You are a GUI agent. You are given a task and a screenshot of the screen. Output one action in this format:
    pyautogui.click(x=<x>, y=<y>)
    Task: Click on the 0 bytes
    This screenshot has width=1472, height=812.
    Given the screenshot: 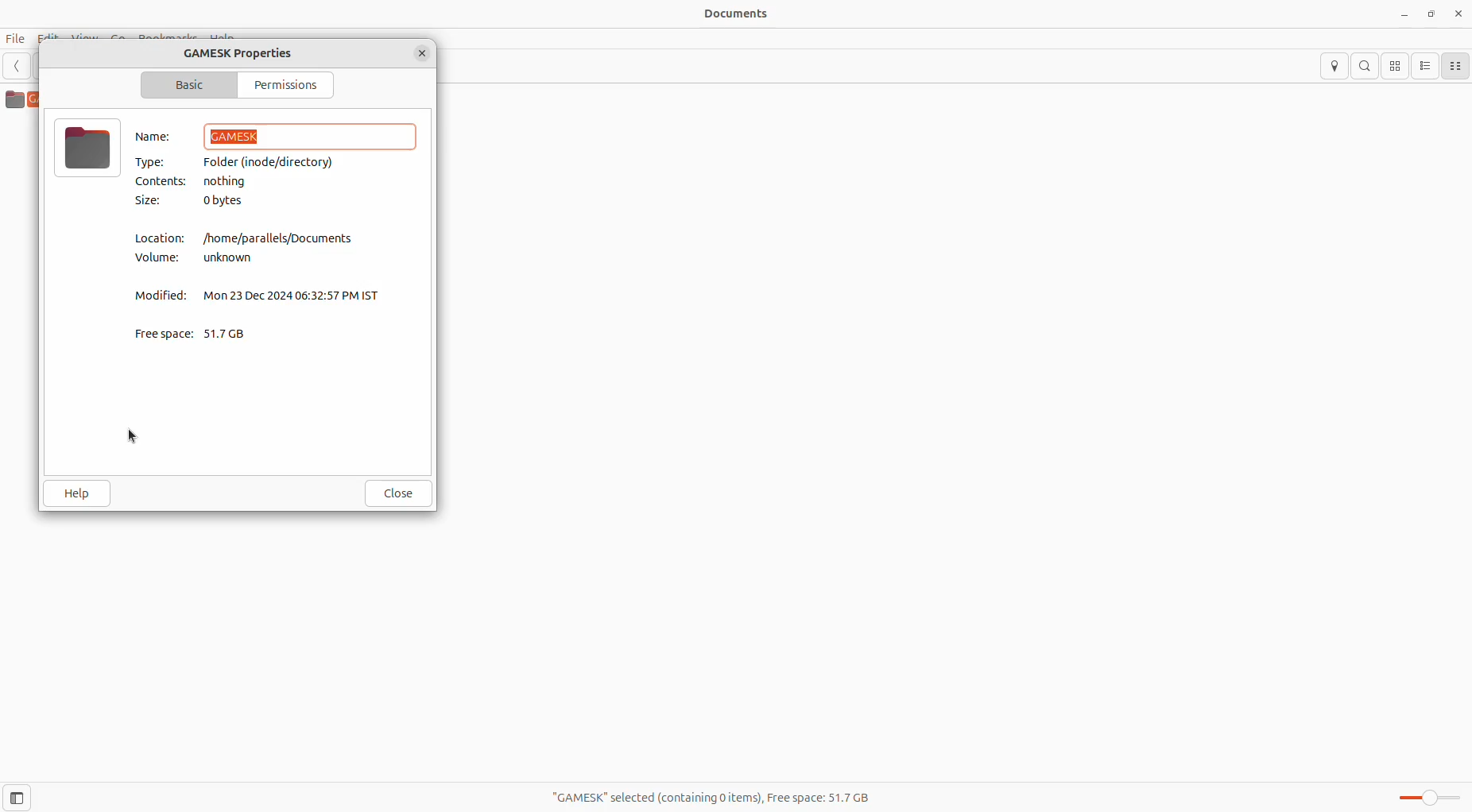 What is the action you would take?
    pyautogui.click(x=227, y=203)
    